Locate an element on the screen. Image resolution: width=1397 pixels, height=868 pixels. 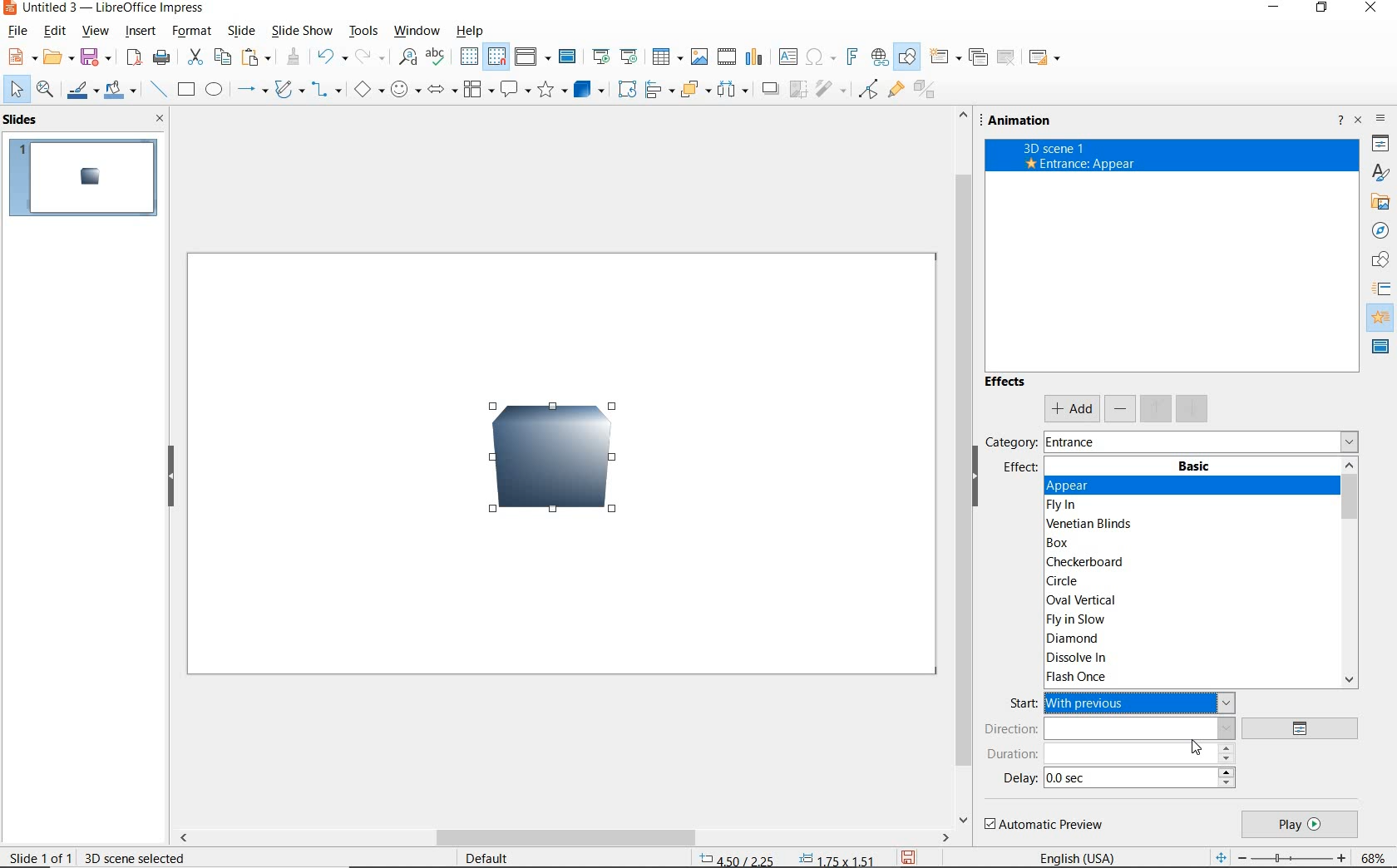
fill color is located at coordinates (120, 91).